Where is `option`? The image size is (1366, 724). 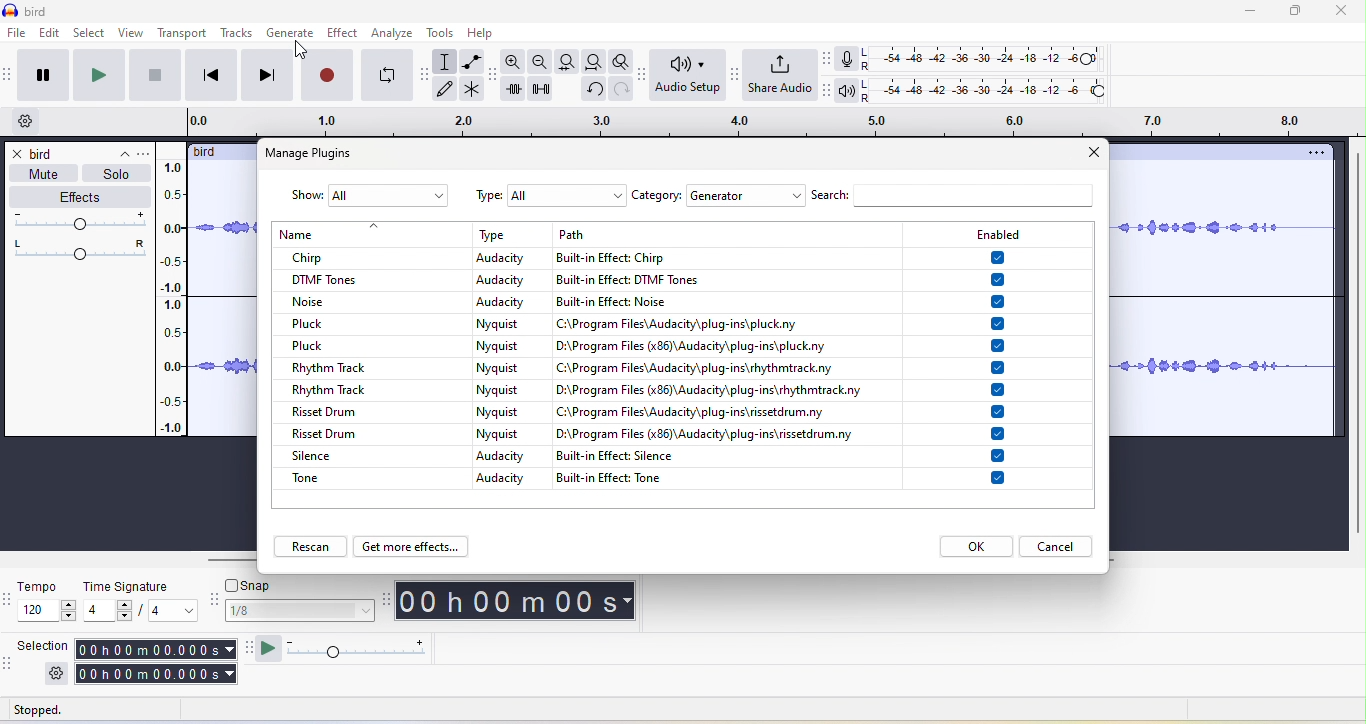
option is located at coordinates (1313, 154).